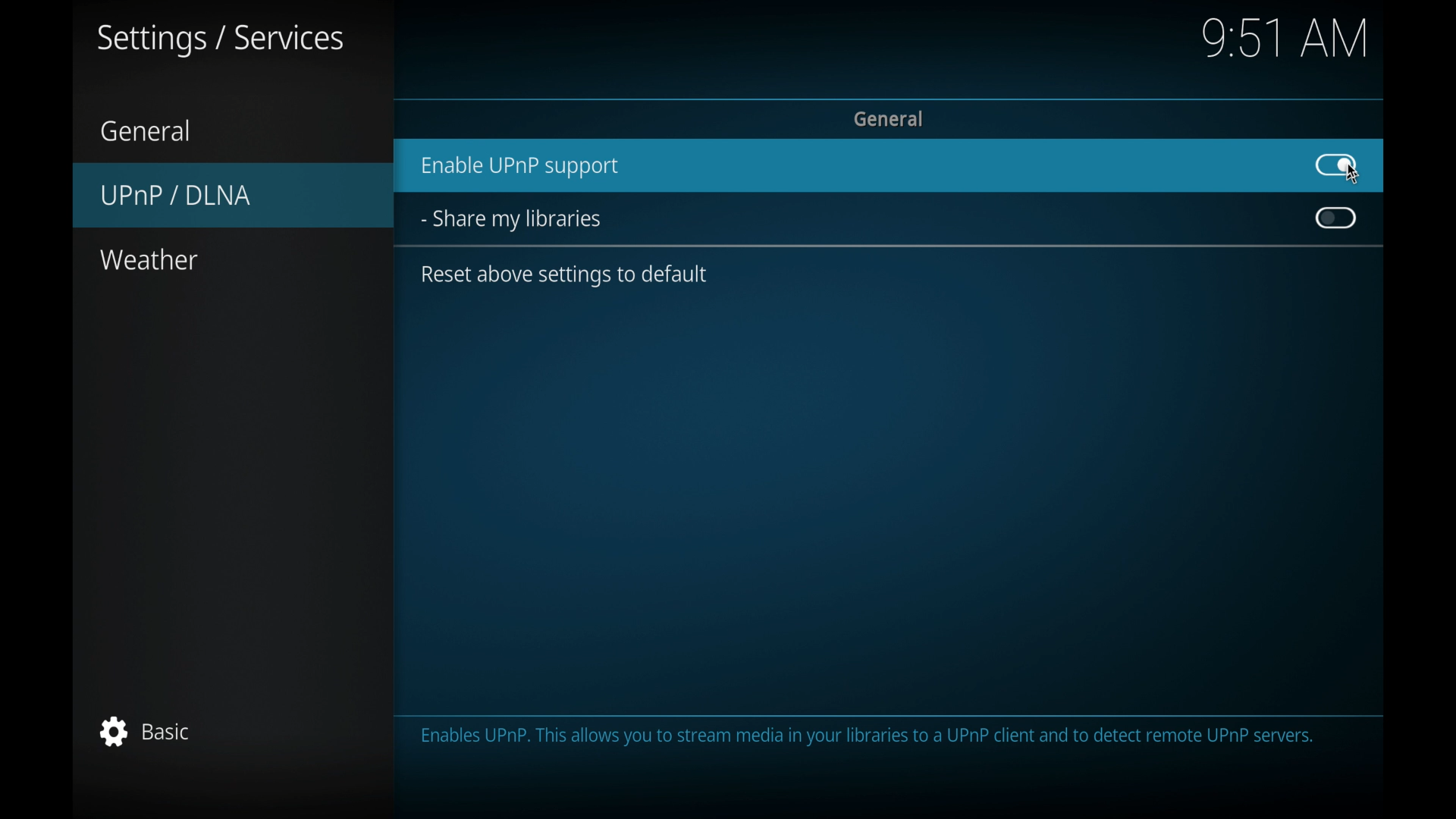 This screenshot has height=819, width=1456. What do you see at coordinates (525, 166) in the screenshot?
I see `enable UPnPsupport` at bounding box center [525, 166].